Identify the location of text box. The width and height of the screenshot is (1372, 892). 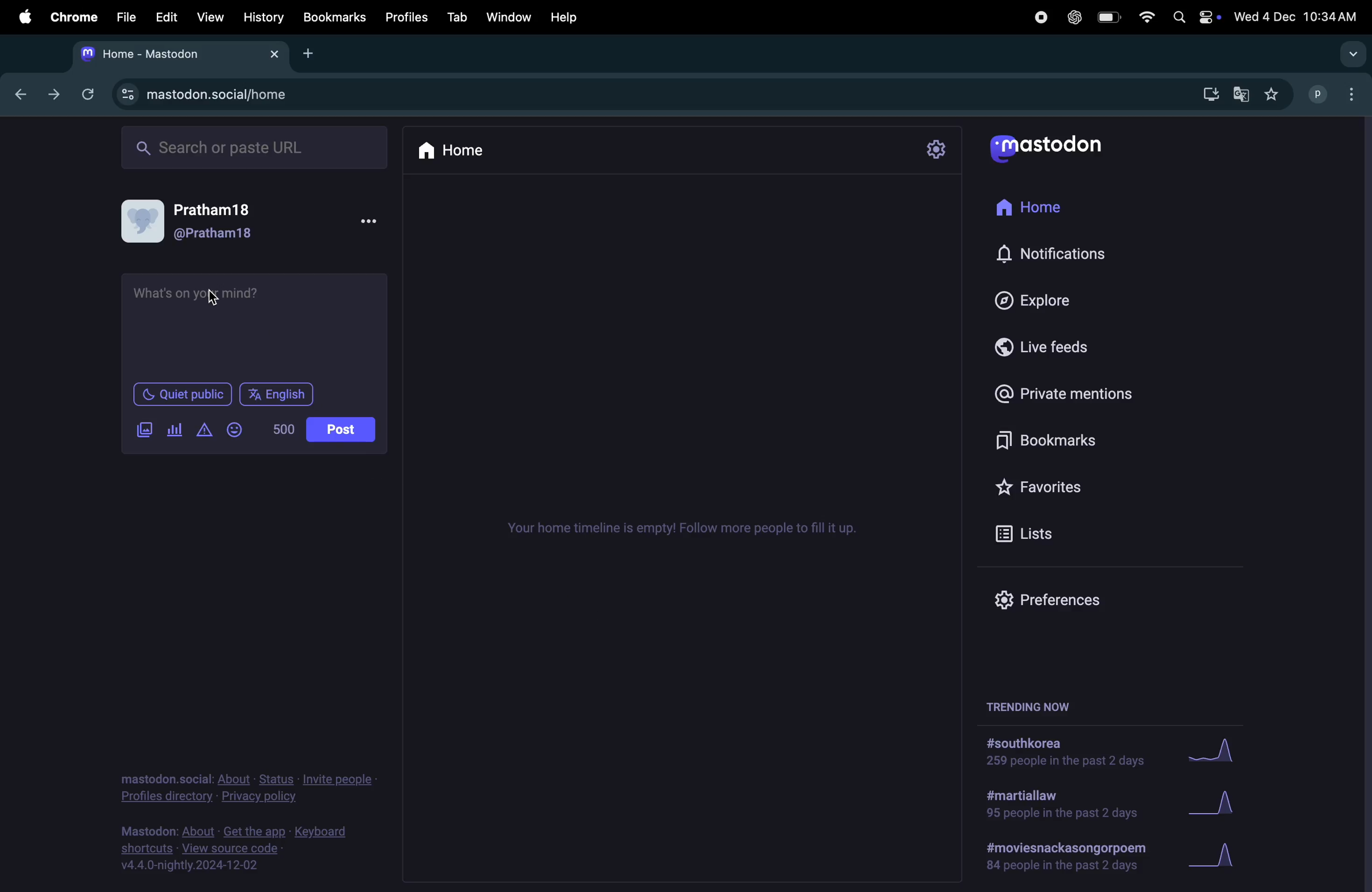
(255, 324).